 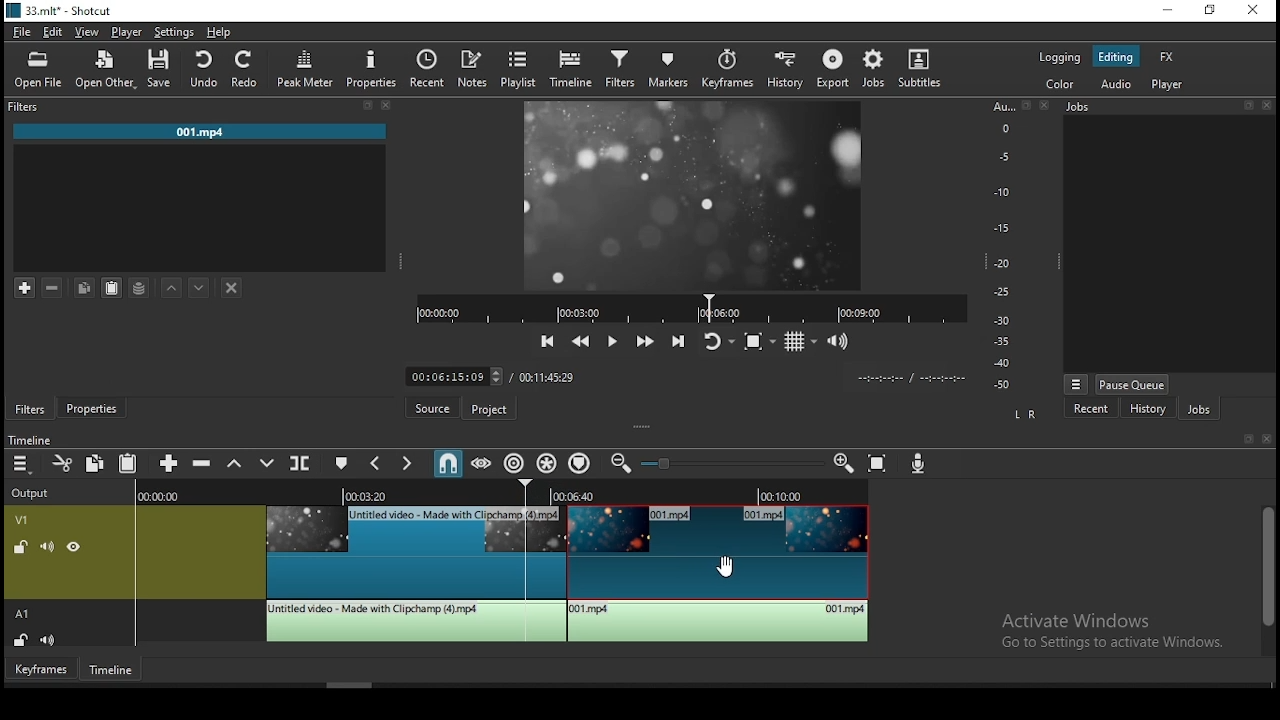 I want to click on zoom timeline in, so click(x=845, y=464).